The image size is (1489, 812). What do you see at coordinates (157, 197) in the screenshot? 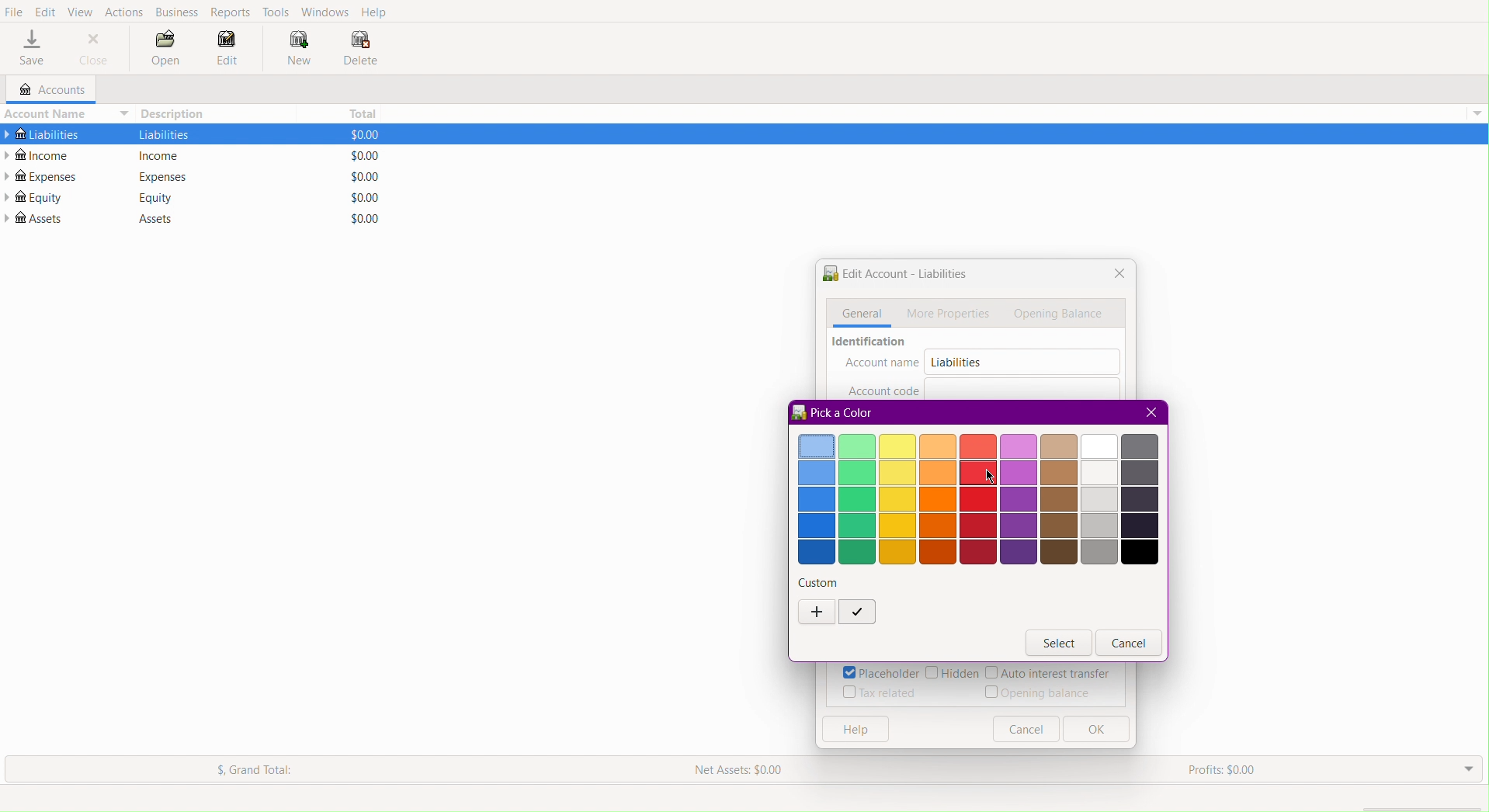
I see `Equity` at bounding box center [157, 197].